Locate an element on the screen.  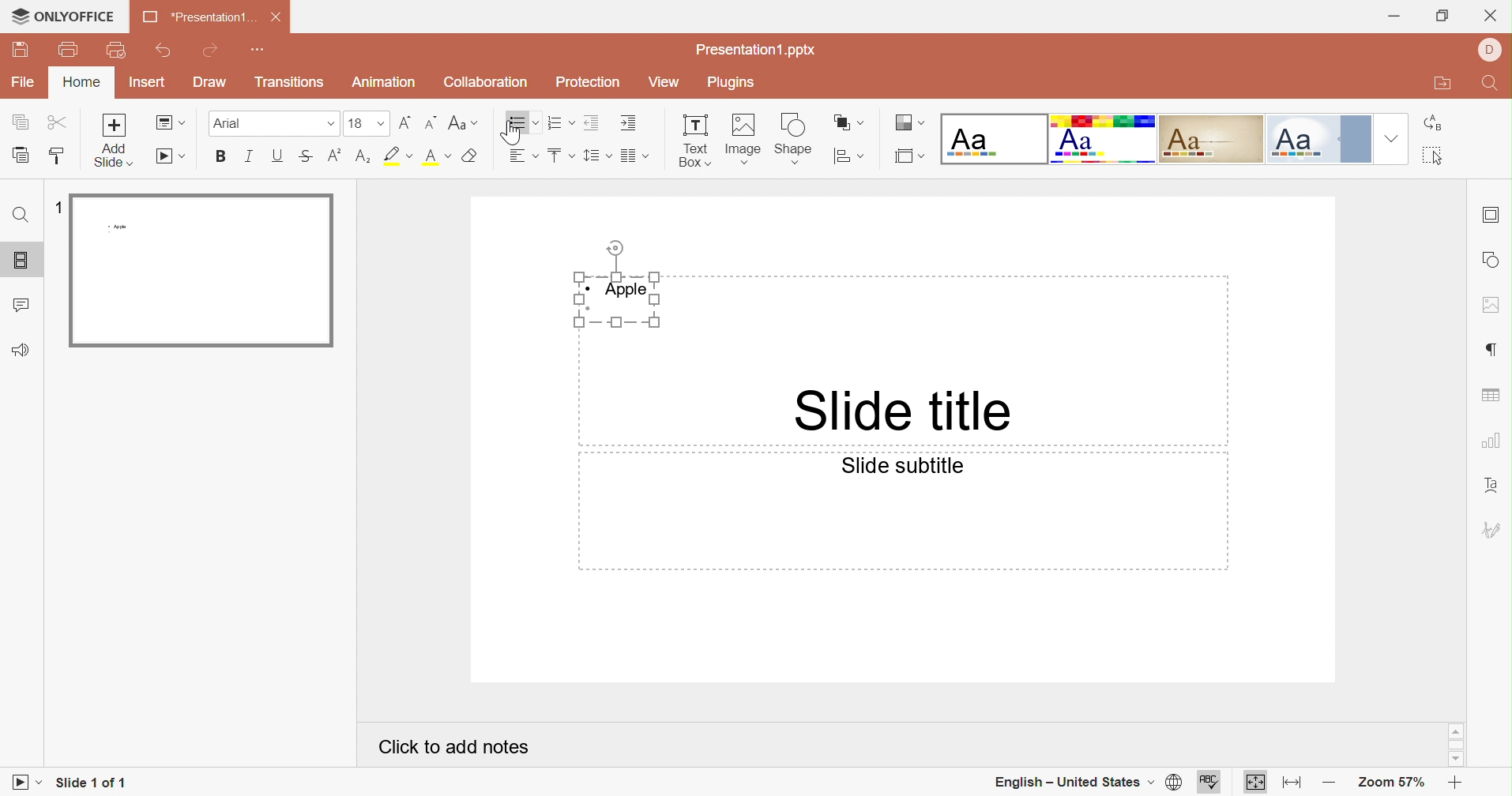
signature settings is located at coordinates (1494, 531).